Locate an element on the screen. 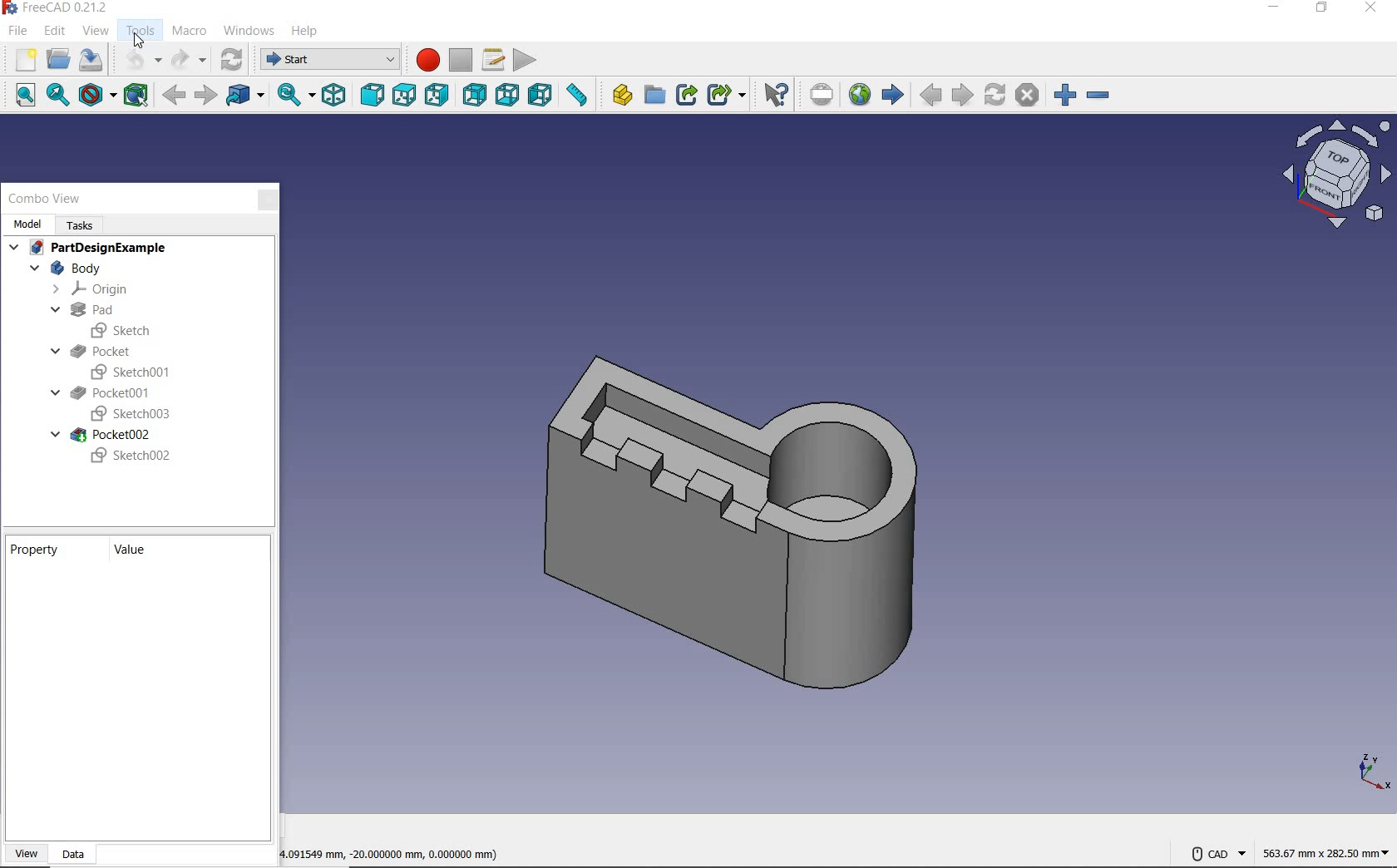 The width and height of the screenshot is (1397, 868). Draw style is located at coordinates (97, 96).